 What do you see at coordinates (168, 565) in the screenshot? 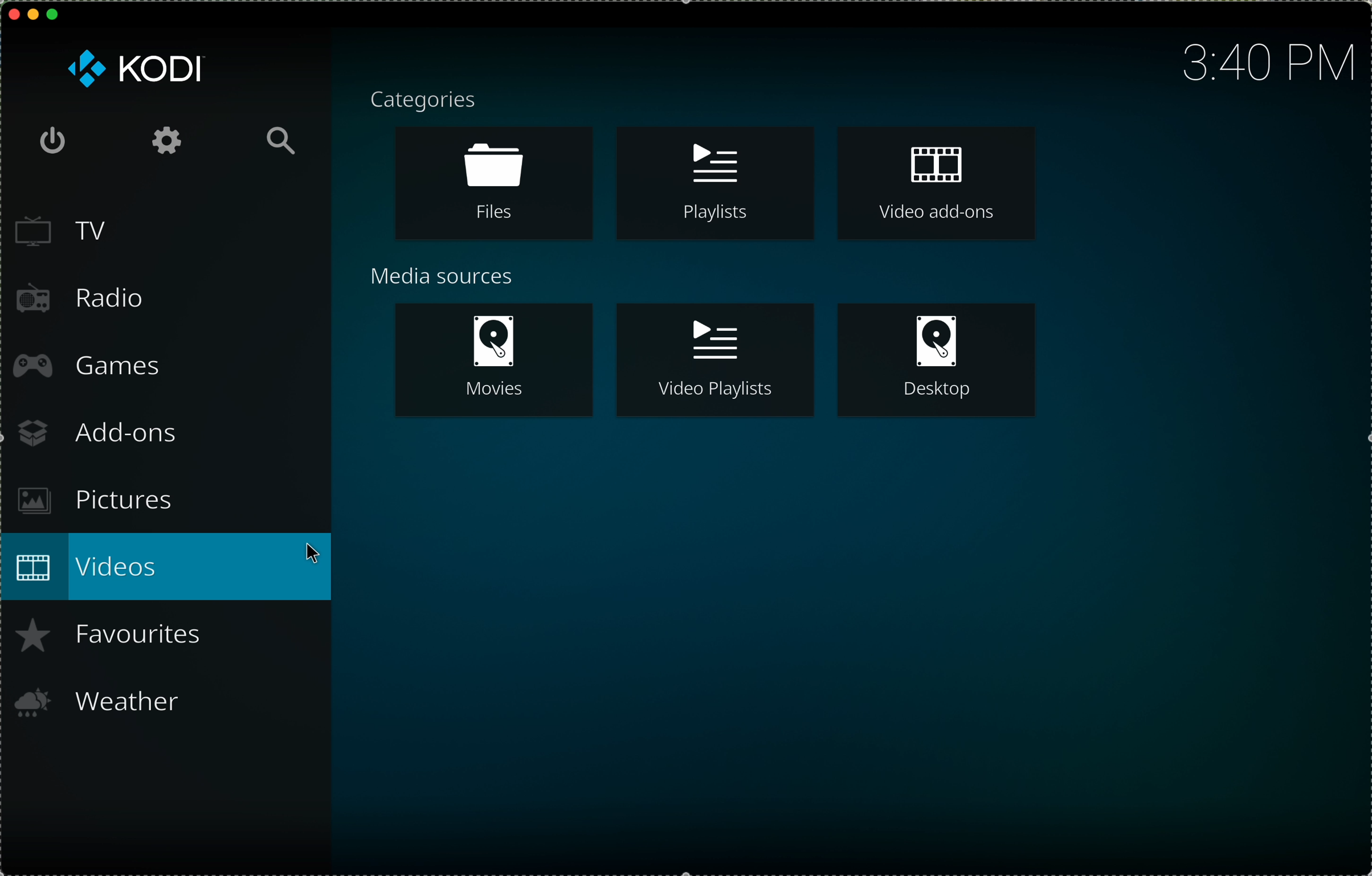
I see `click on videos` at bounding box center [168, 565].